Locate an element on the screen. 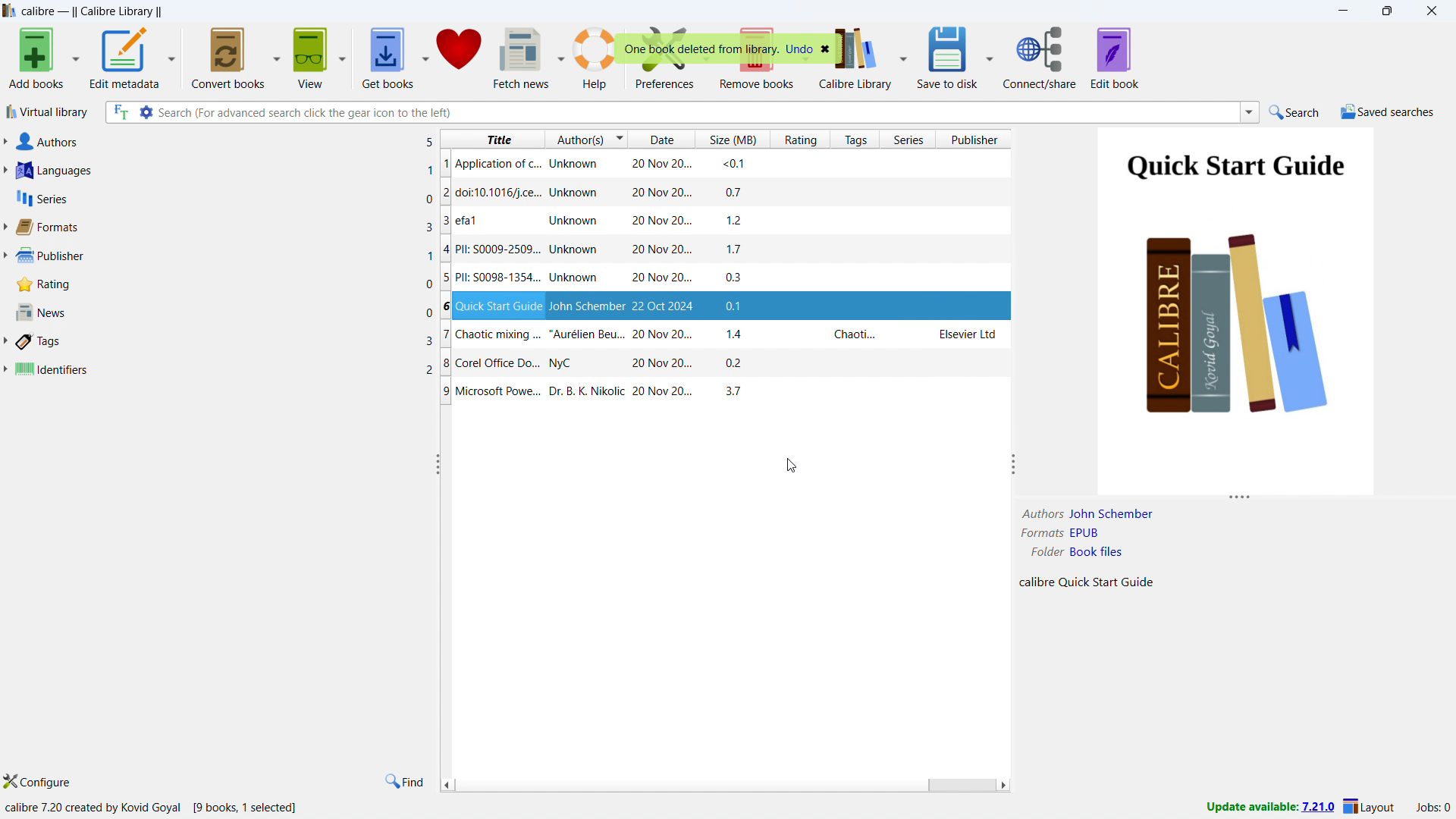  Book files is located at coordinates (1099, 554).